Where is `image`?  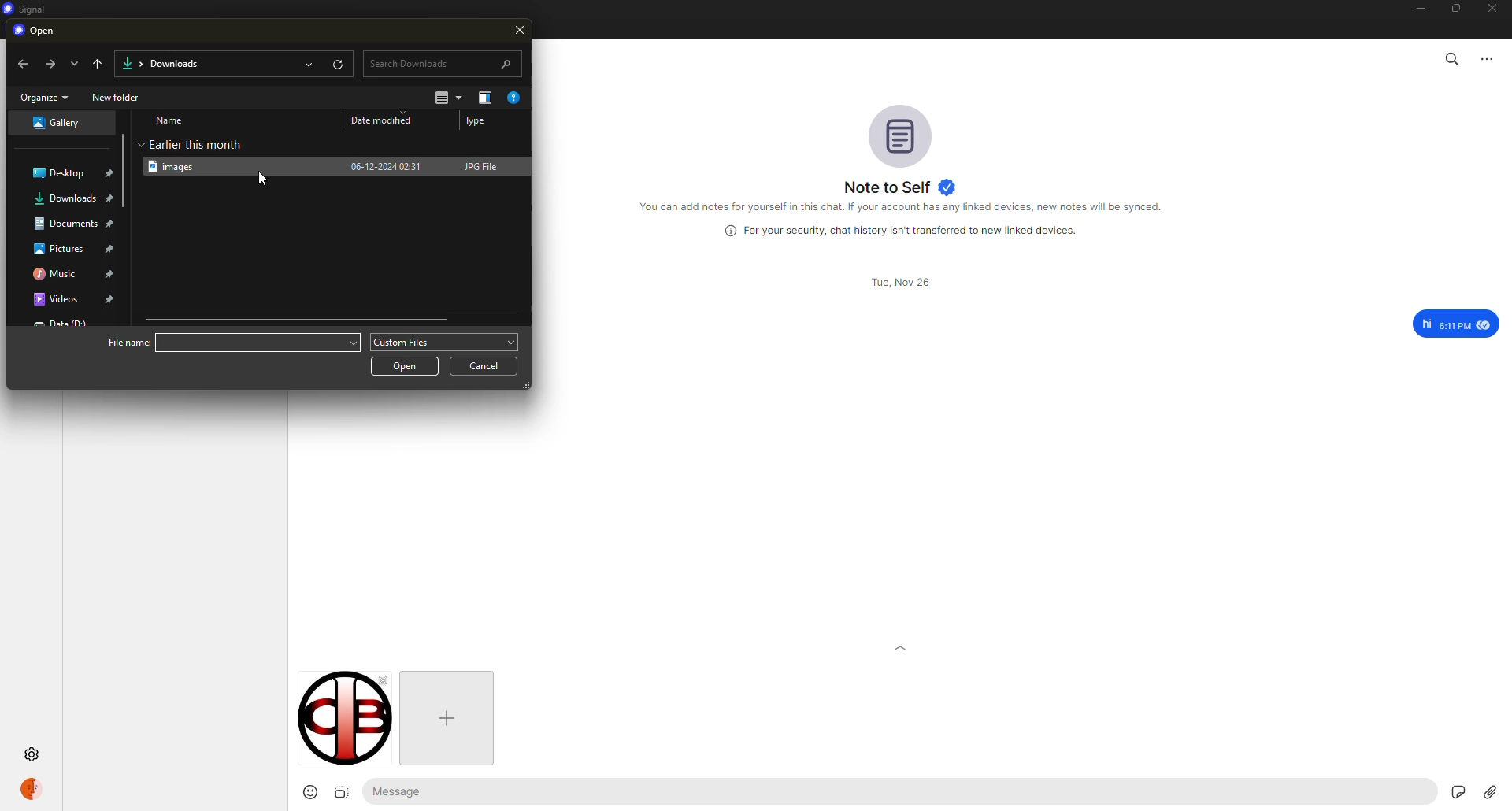
image is located at coordinates (343, 726).